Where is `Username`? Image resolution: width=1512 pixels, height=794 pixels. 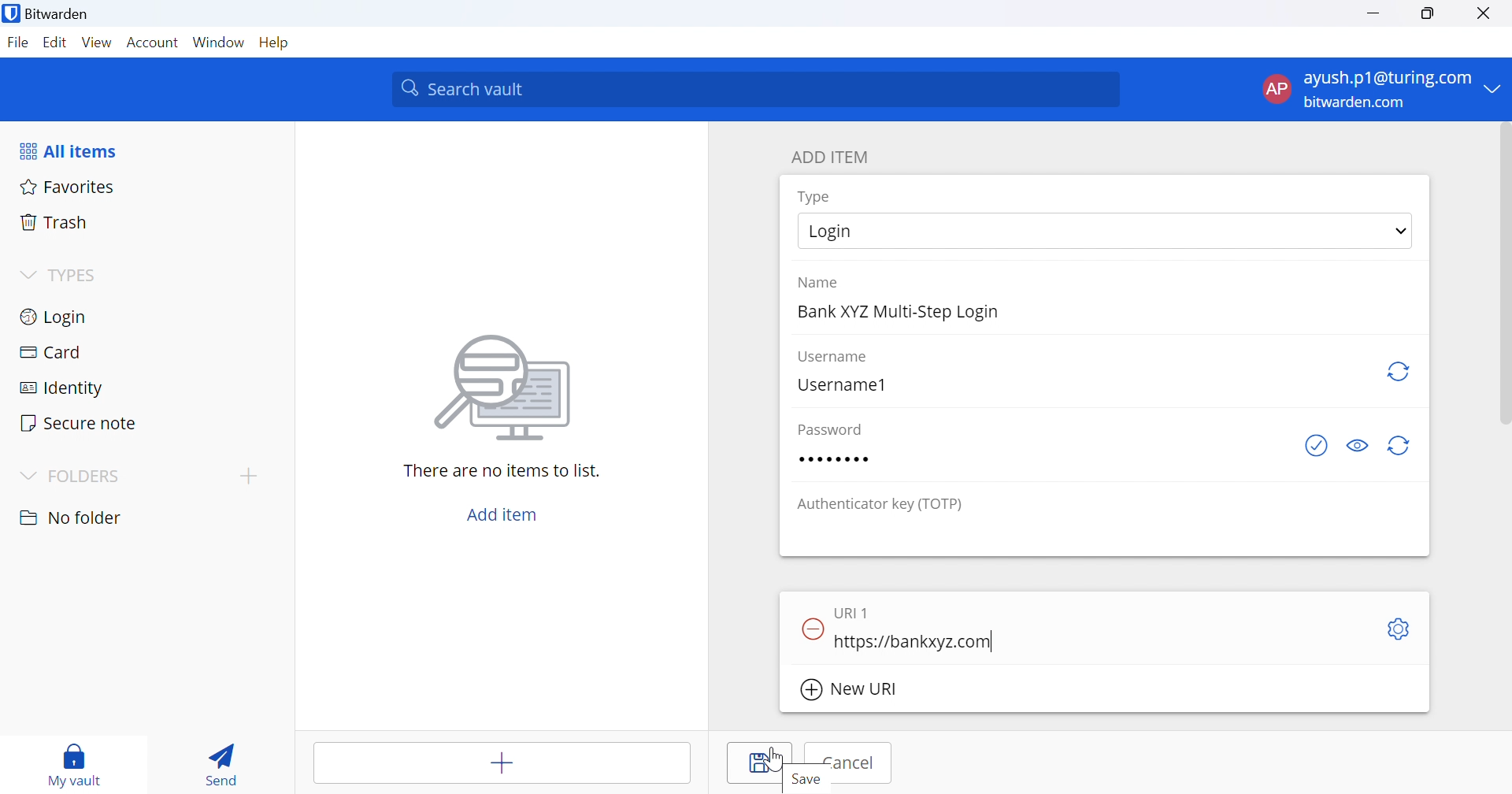 Username is located at coordinates (834, 357).